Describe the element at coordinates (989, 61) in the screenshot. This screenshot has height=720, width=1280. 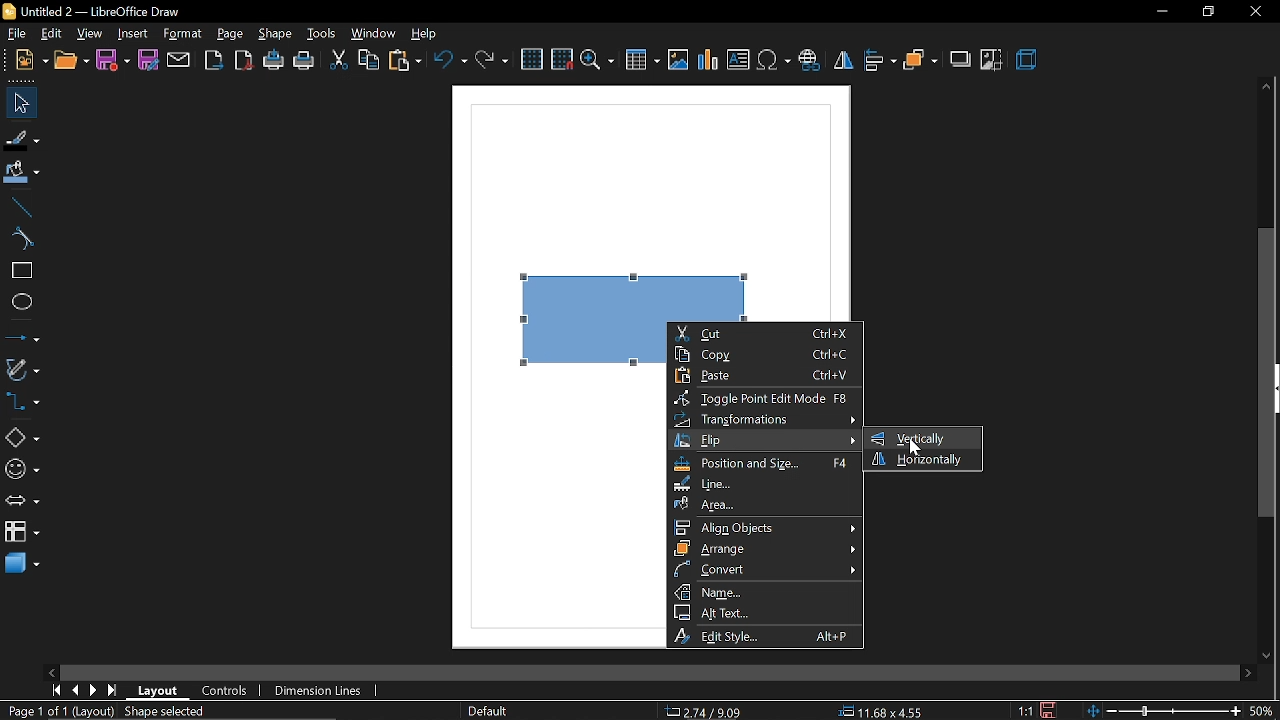
I see `crop` at that location.